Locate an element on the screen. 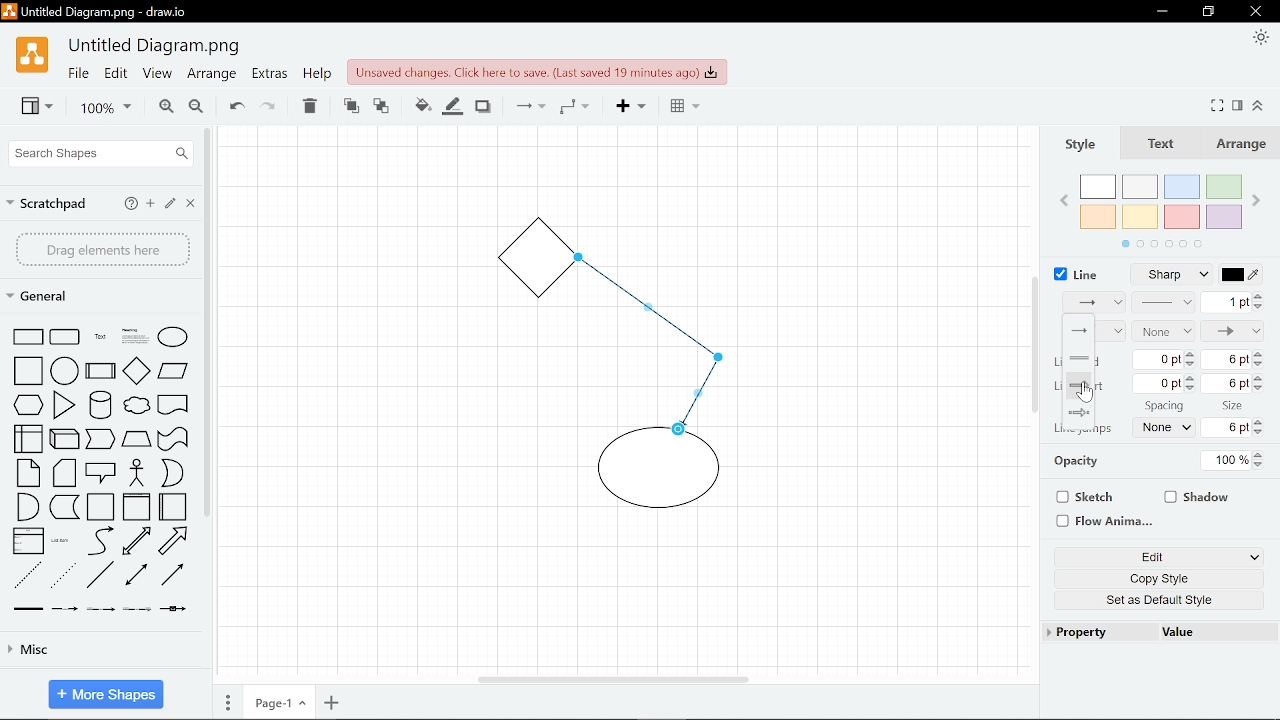  shape is located at coordinates (64, 405).